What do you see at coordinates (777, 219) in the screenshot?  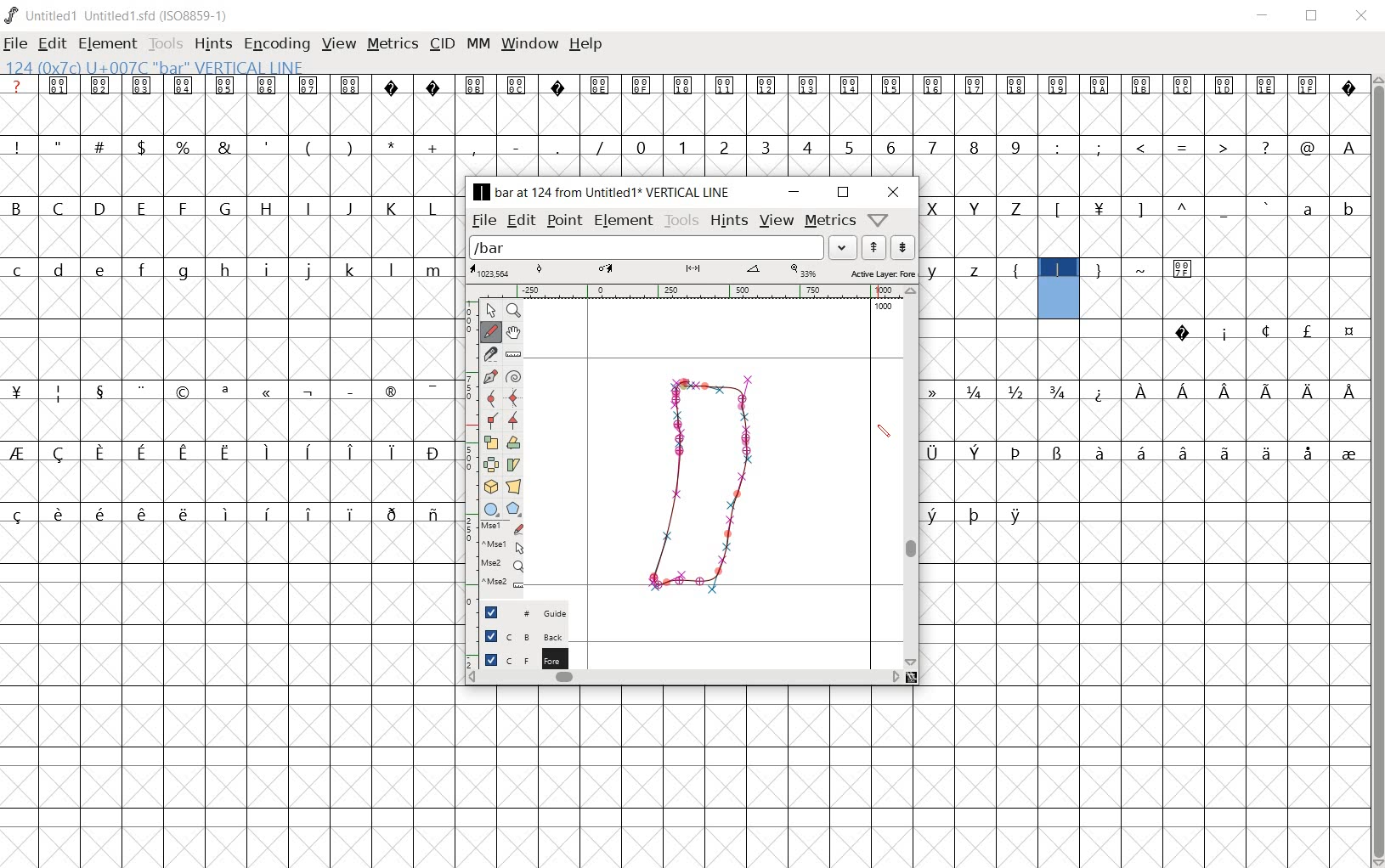 I see `view` at bounding box center [777, 219].